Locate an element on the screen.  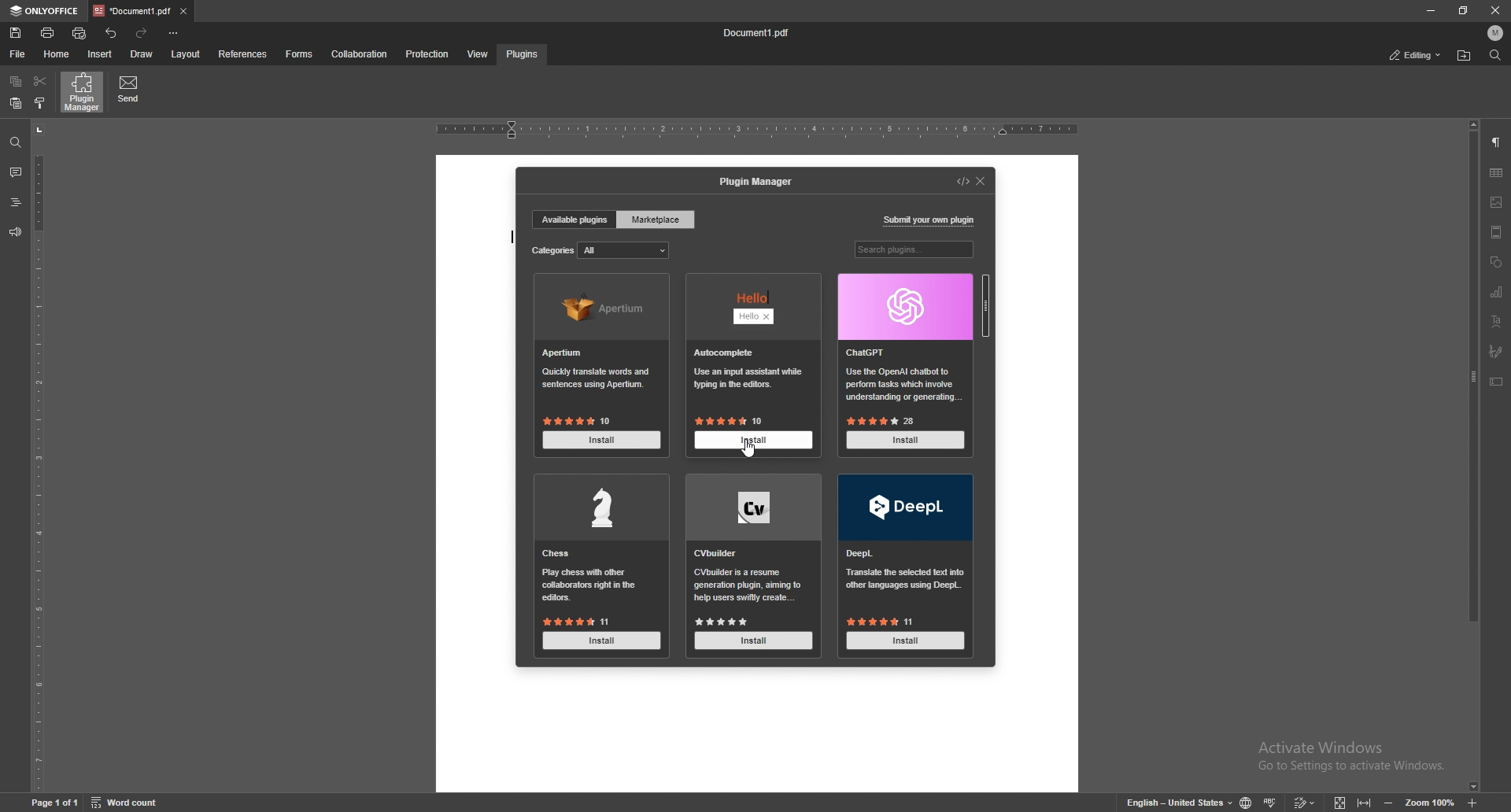
comment is located at coordinates (15, 172).